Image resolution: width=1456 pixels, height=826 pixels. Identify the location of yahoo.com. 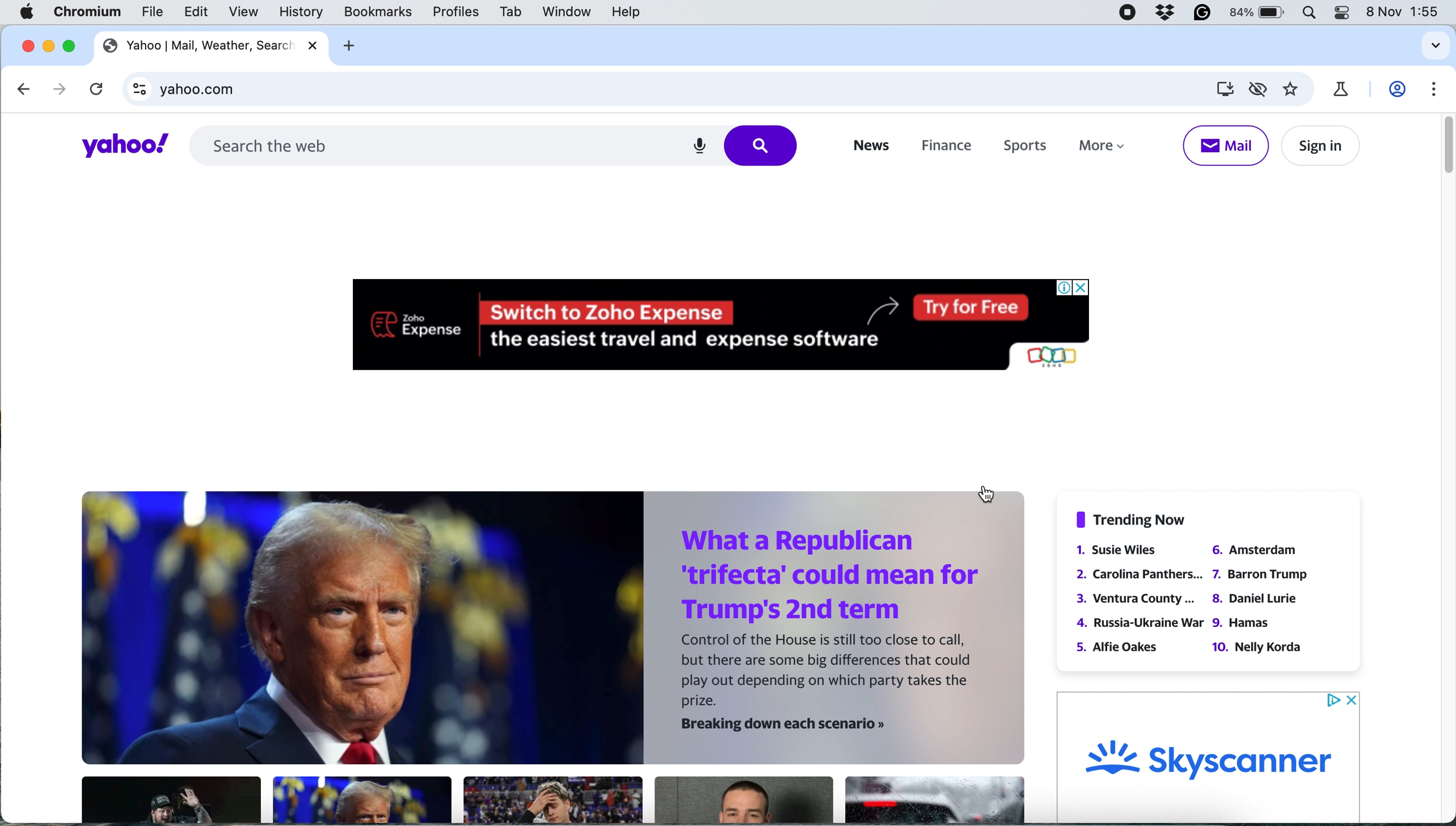
(666, 87).